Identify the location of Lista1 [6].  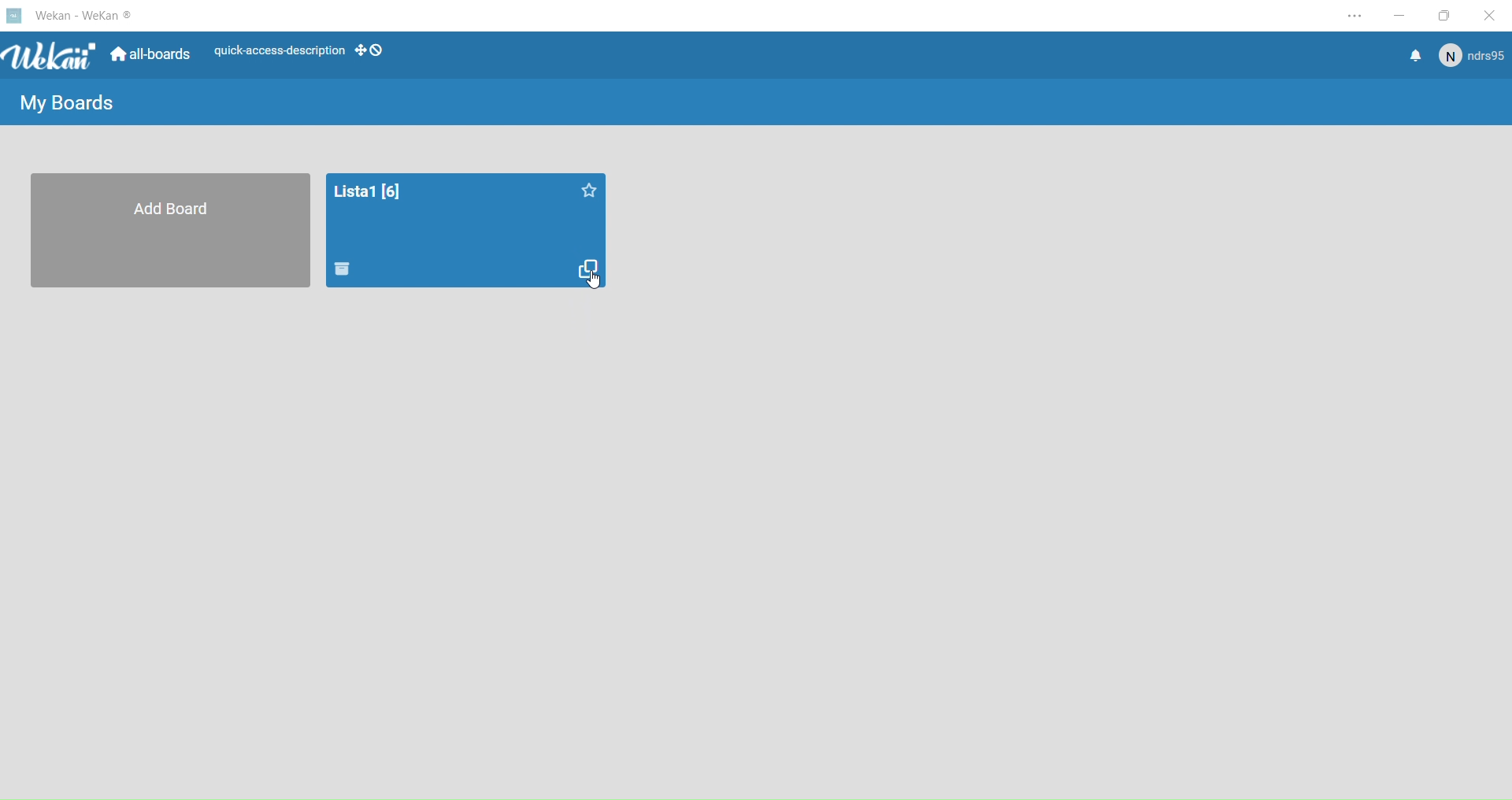
(368, 190).